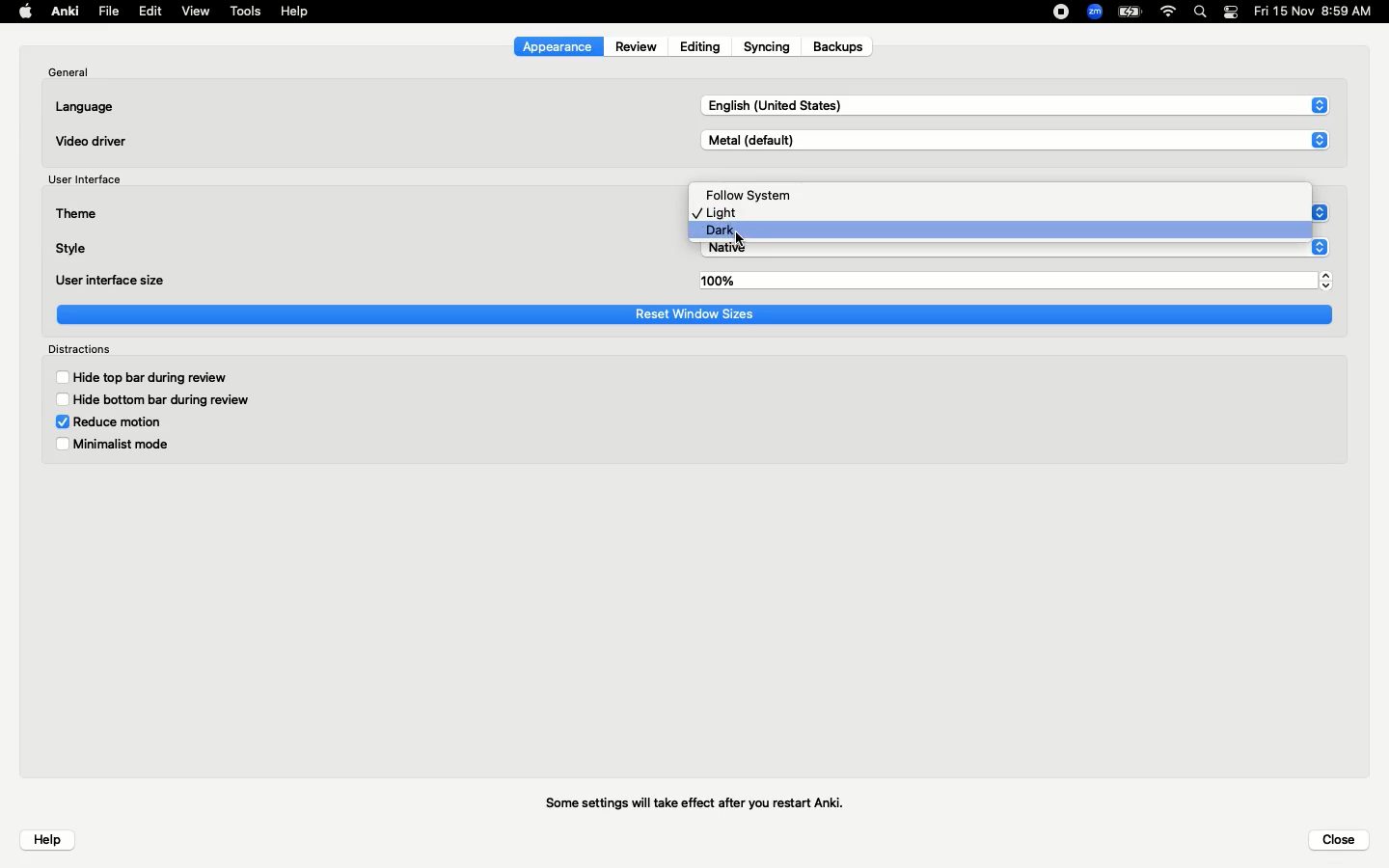 The width and height of the screenshot is (1389, 868). I want to click on Hide top bar during review, so click(142, 377).